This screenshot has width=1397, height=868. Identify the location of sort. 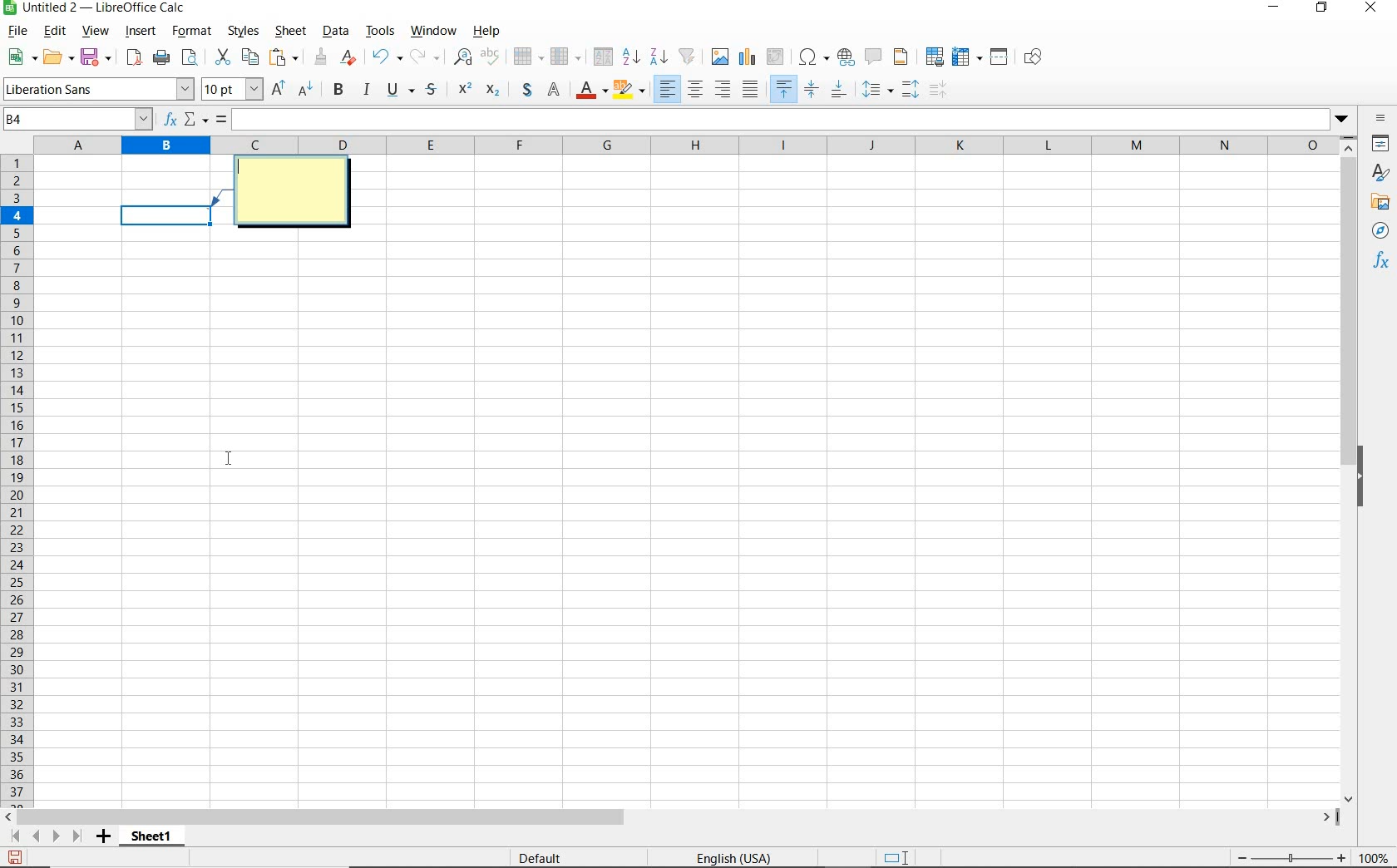
(602, 57).